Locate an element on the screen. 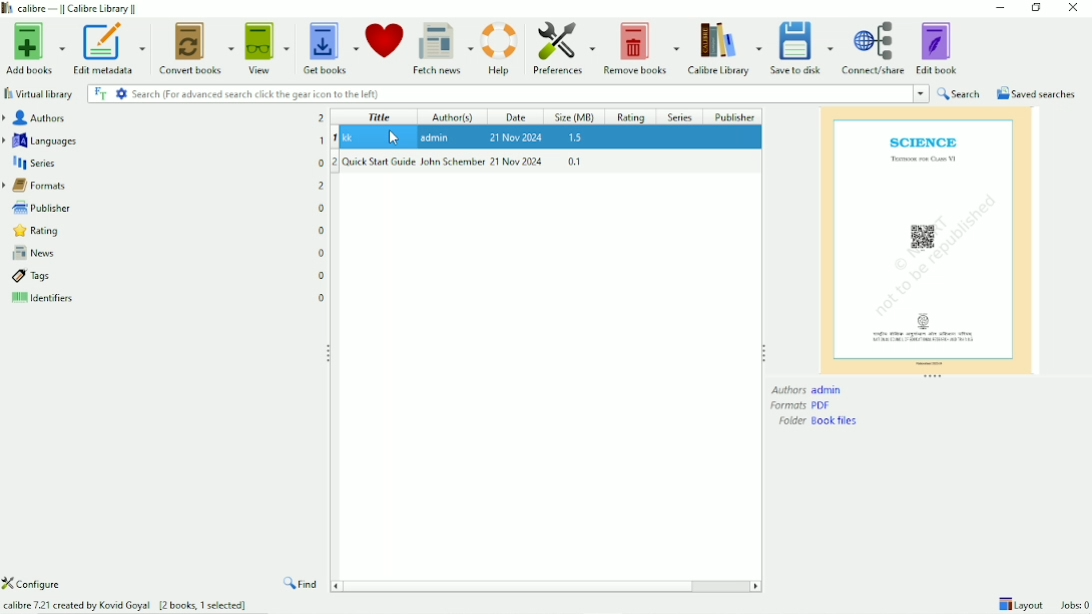 This screenshot has width=1092, height=614. Preferences is located at coordinates (561, 49).